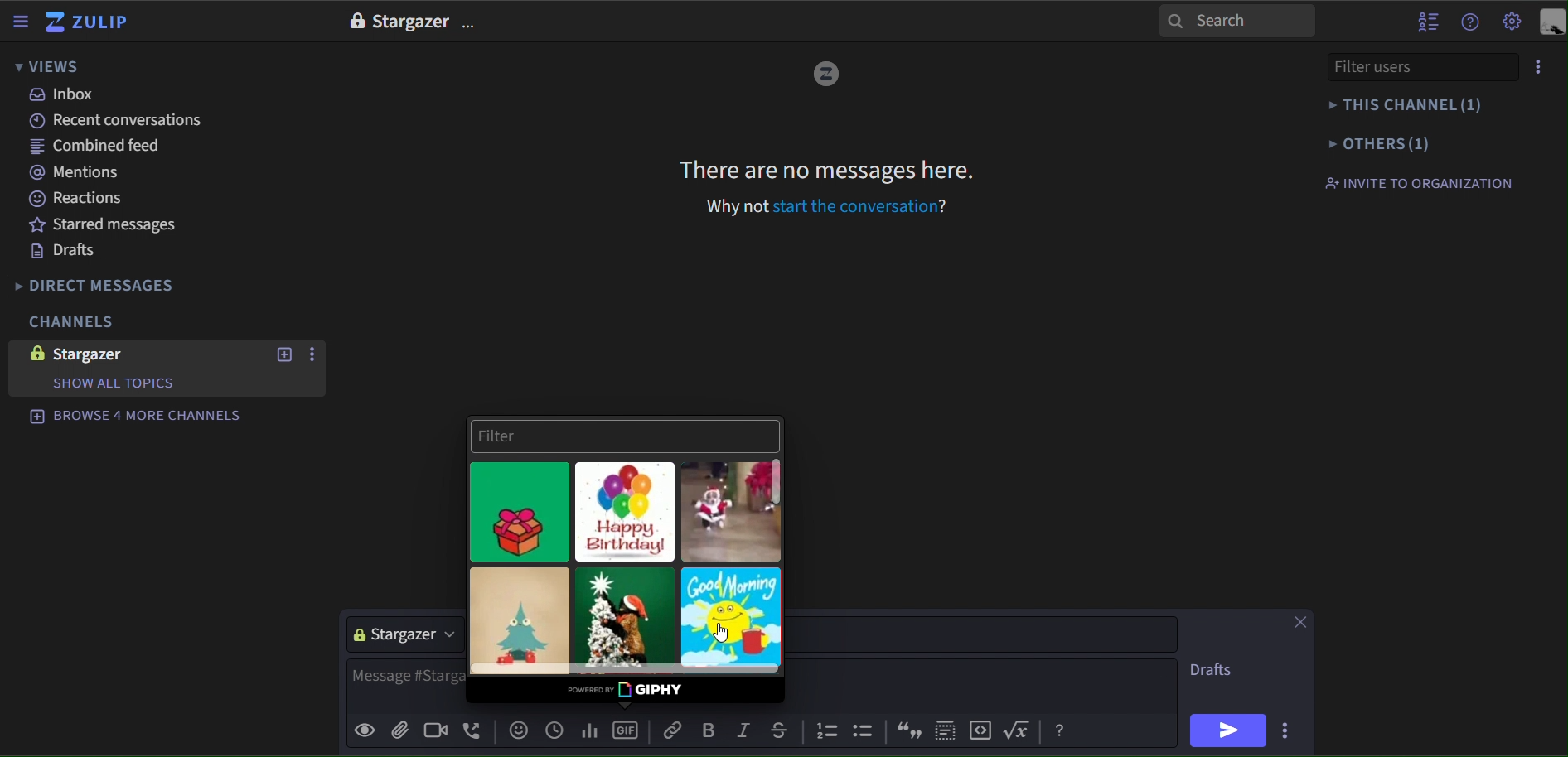 The width and height of the screenshot is (1568, 757). What do you see at coordinates (948, 205) in the screenshot?
I see `question mark` at bounding box center [948, 205].